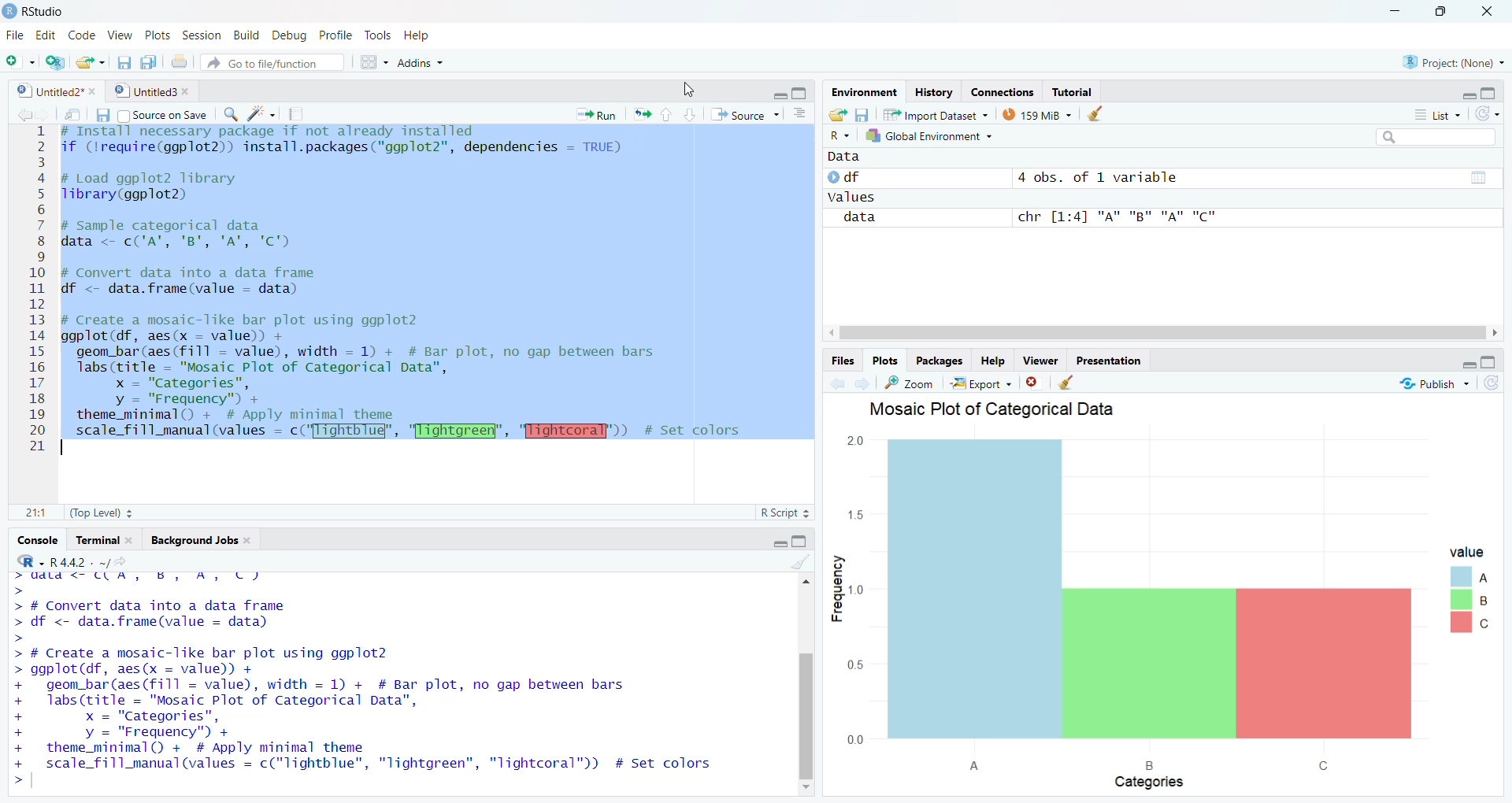  Describe the element at coordinates (31, 562) in the screenshot. I see `R` at that location.